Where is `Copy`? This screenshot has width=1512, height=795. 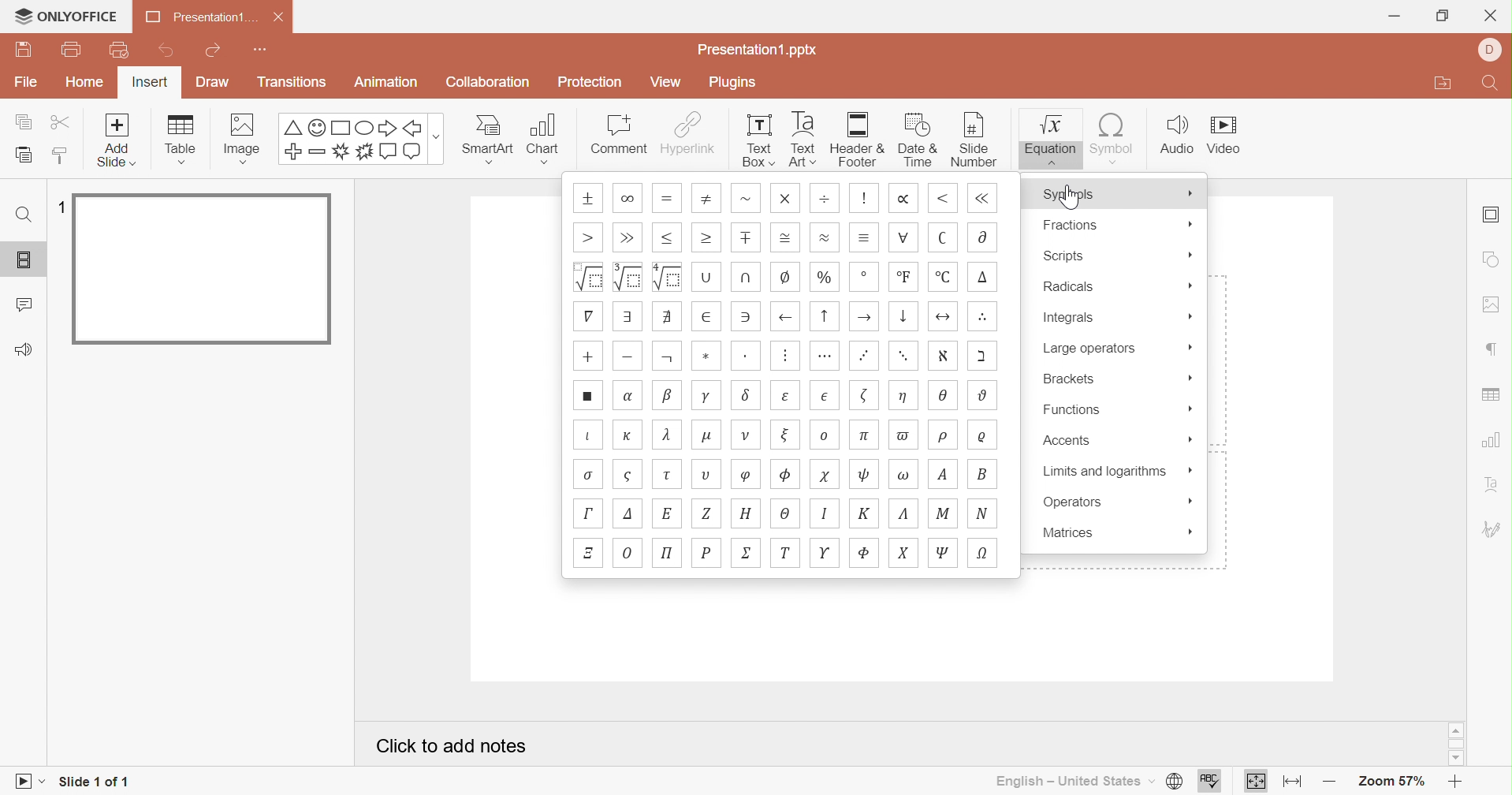
Copy is located at coordinates (25, 121).